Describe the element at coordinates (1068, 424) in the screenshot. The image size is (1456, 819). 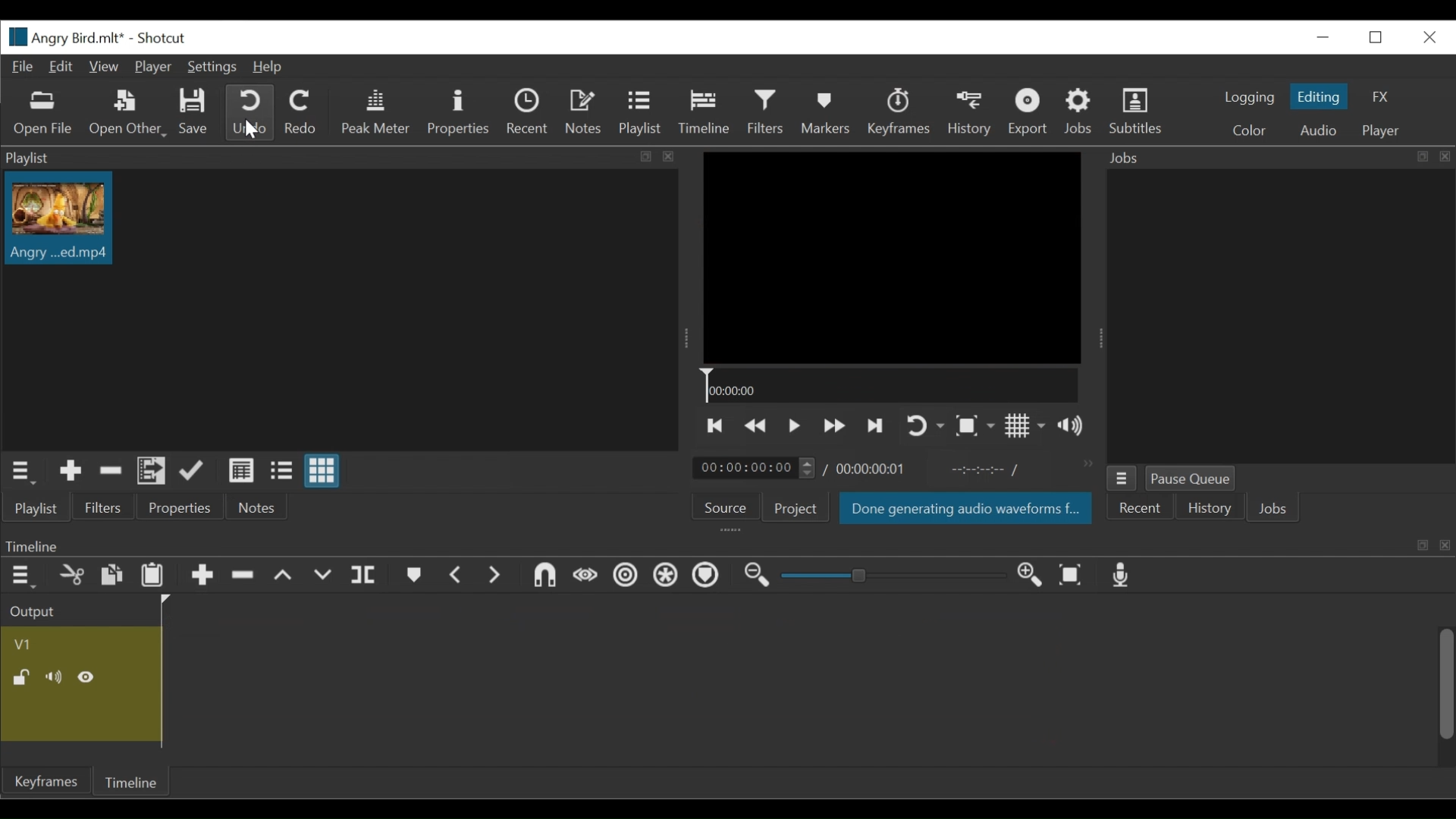
I see `Show volume control` at that location.